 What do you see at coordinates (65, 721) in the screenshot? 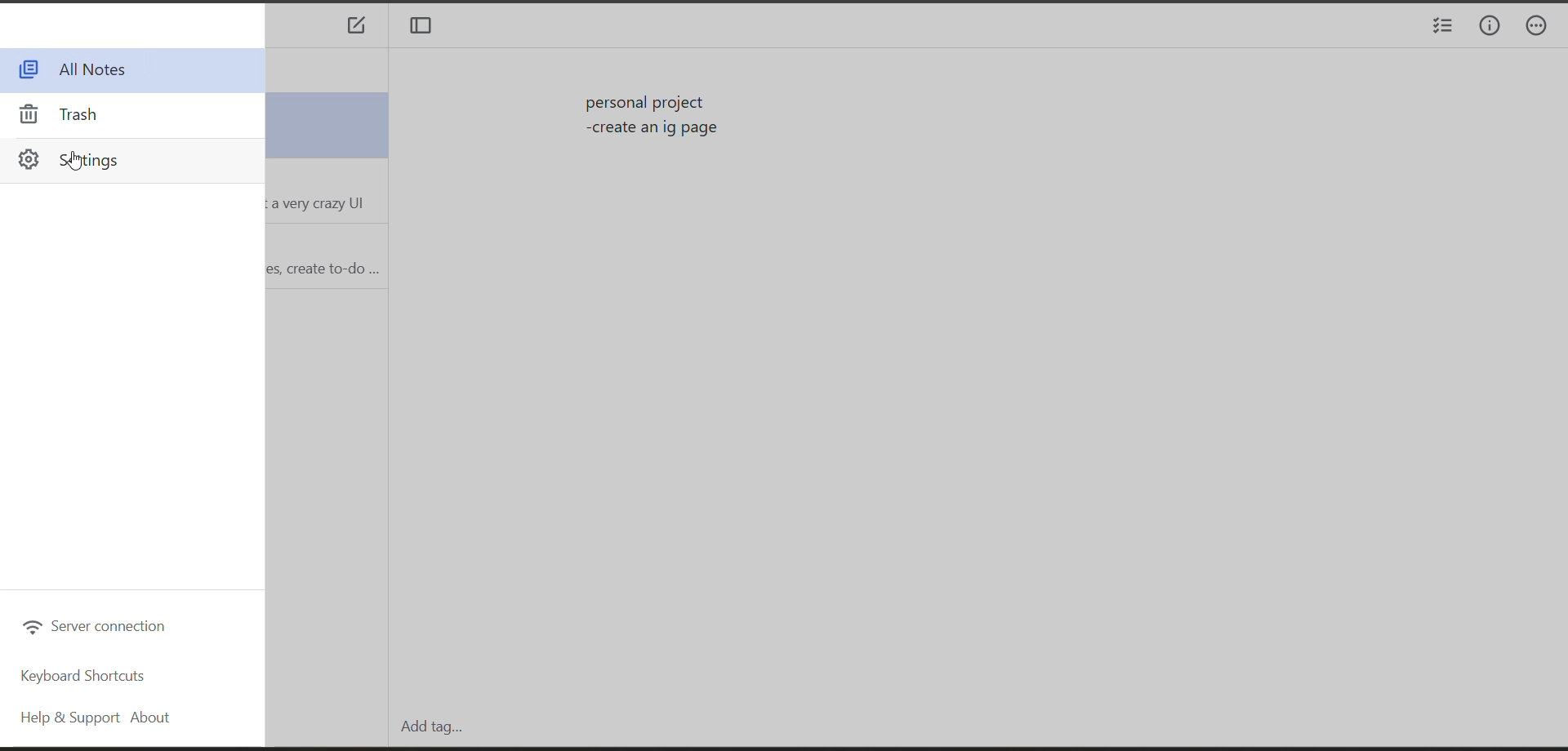
I see `help & support` at bounding box center [65, 721].